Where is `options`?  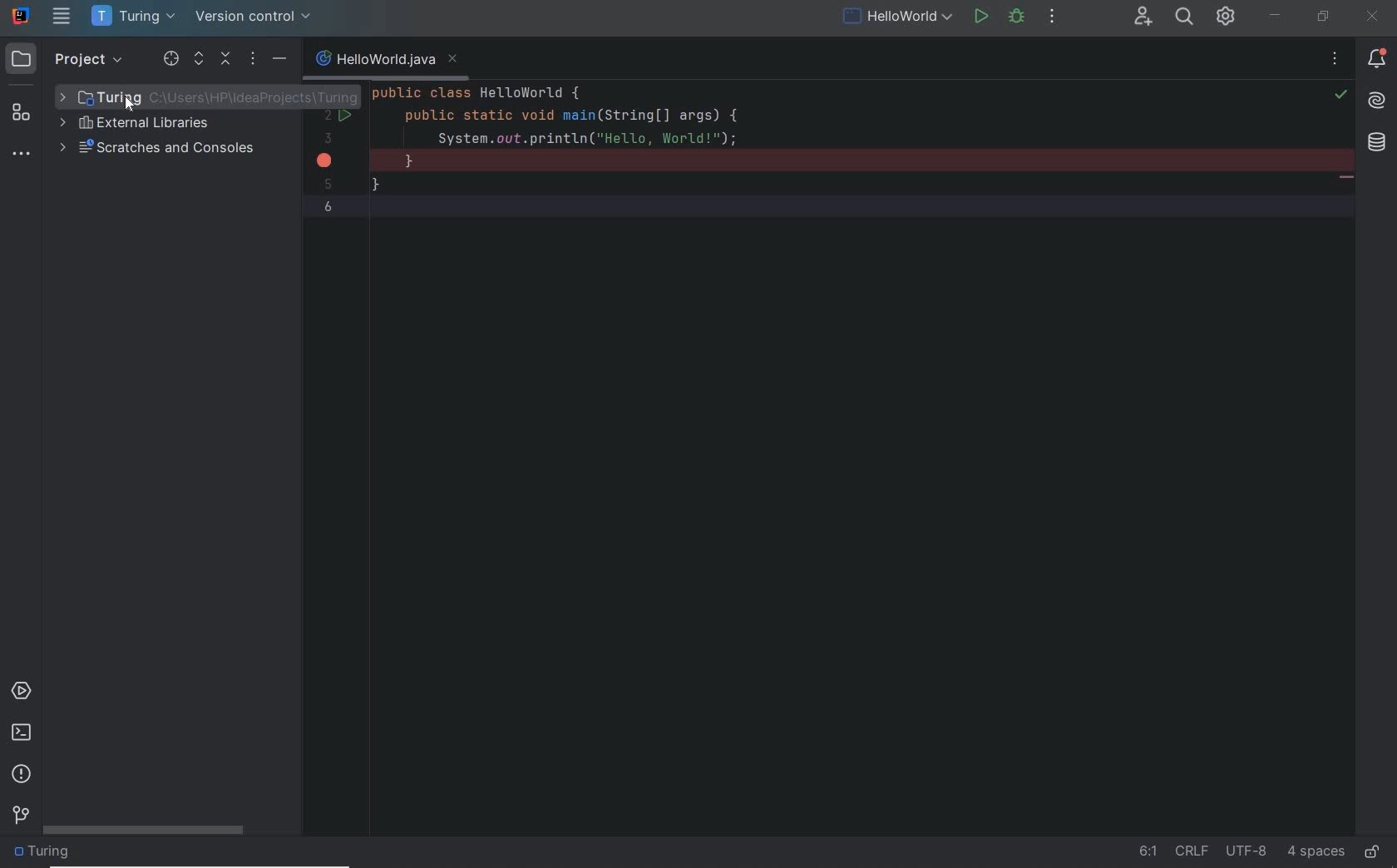 options is located at coordinates (255, 60).